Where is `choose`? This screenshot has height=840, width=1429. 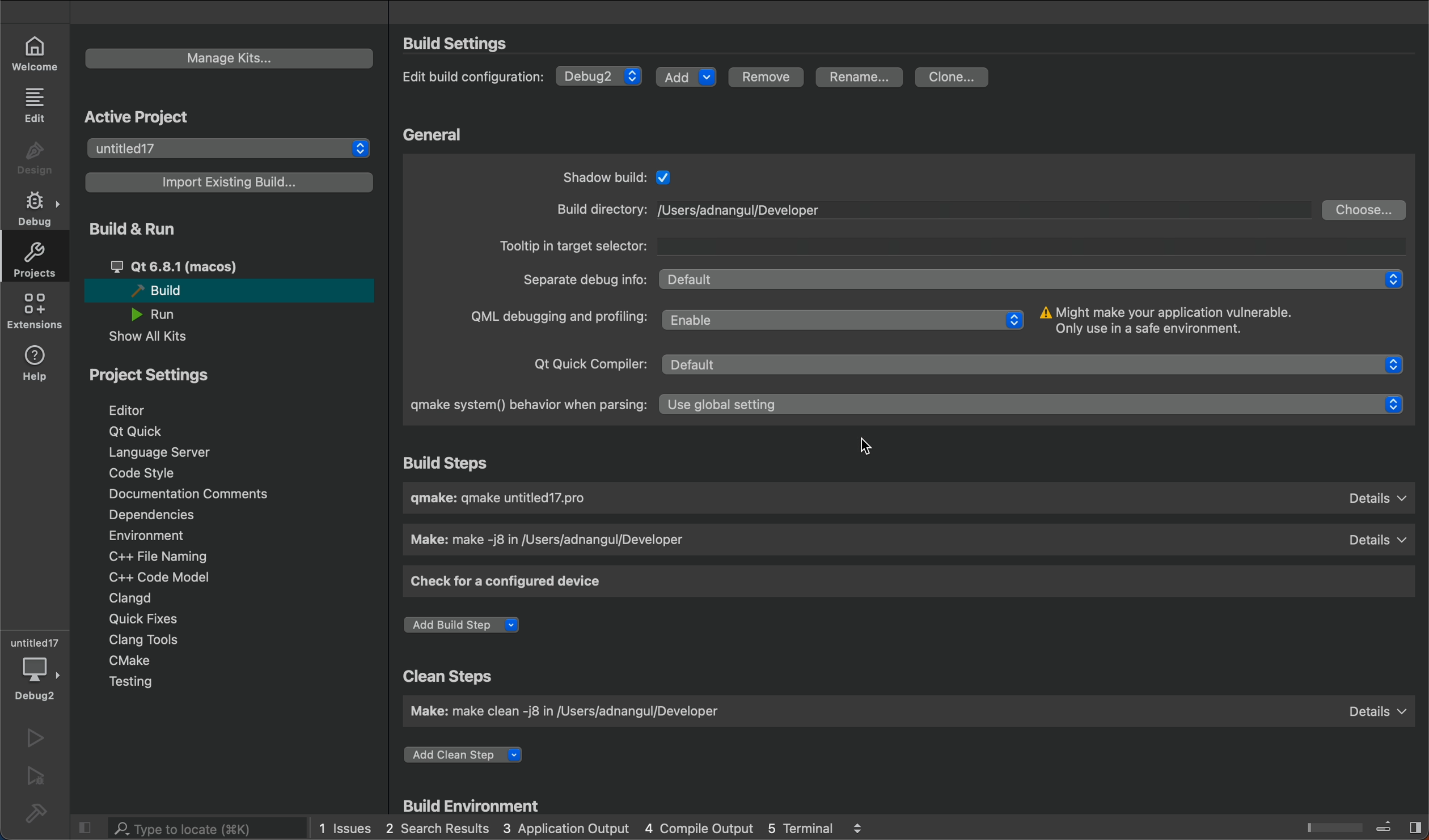 choose is located at coordinates (1360, 206).